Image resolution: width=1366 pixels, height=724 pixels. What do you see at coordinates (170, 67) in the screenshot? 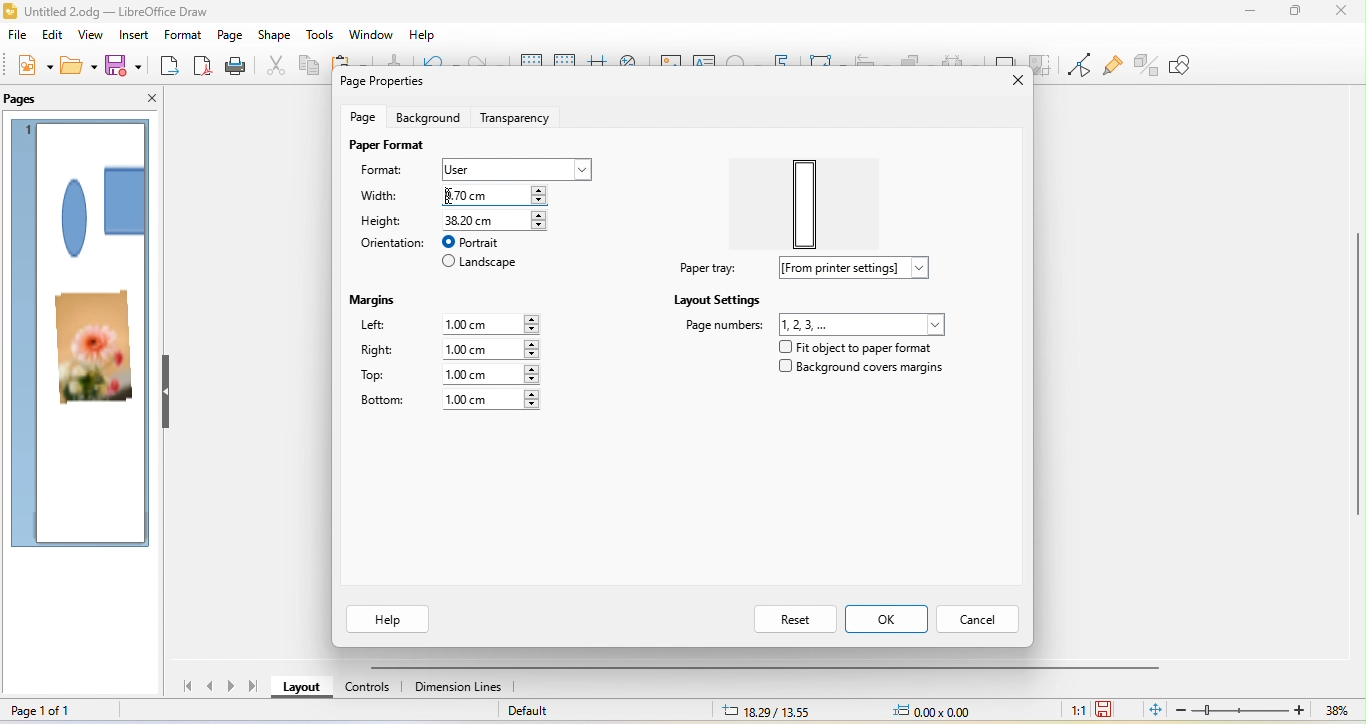
I see `export` at bounding box center [170, 67].